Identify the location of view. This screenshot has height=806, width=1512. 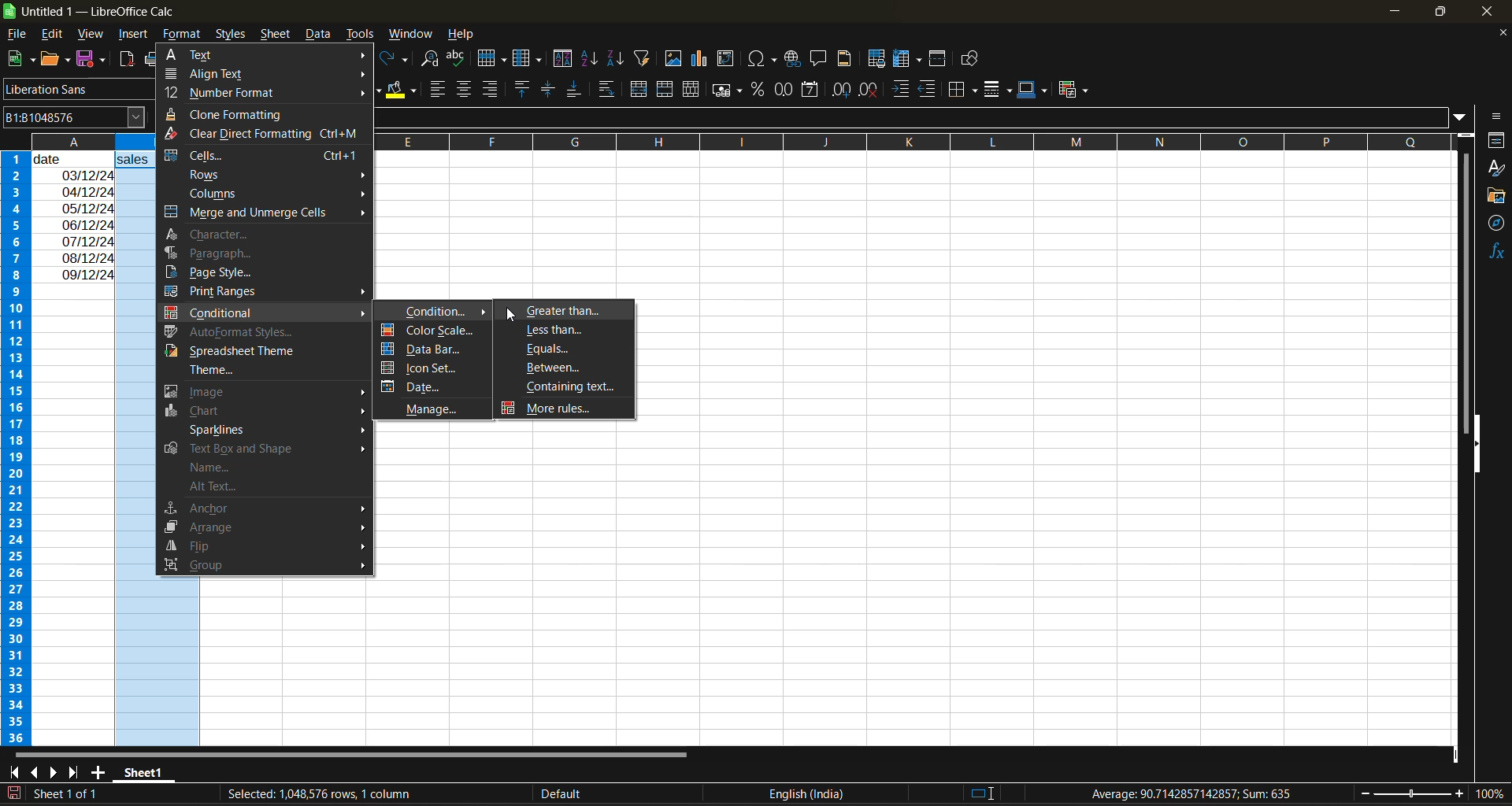
(92, 31).